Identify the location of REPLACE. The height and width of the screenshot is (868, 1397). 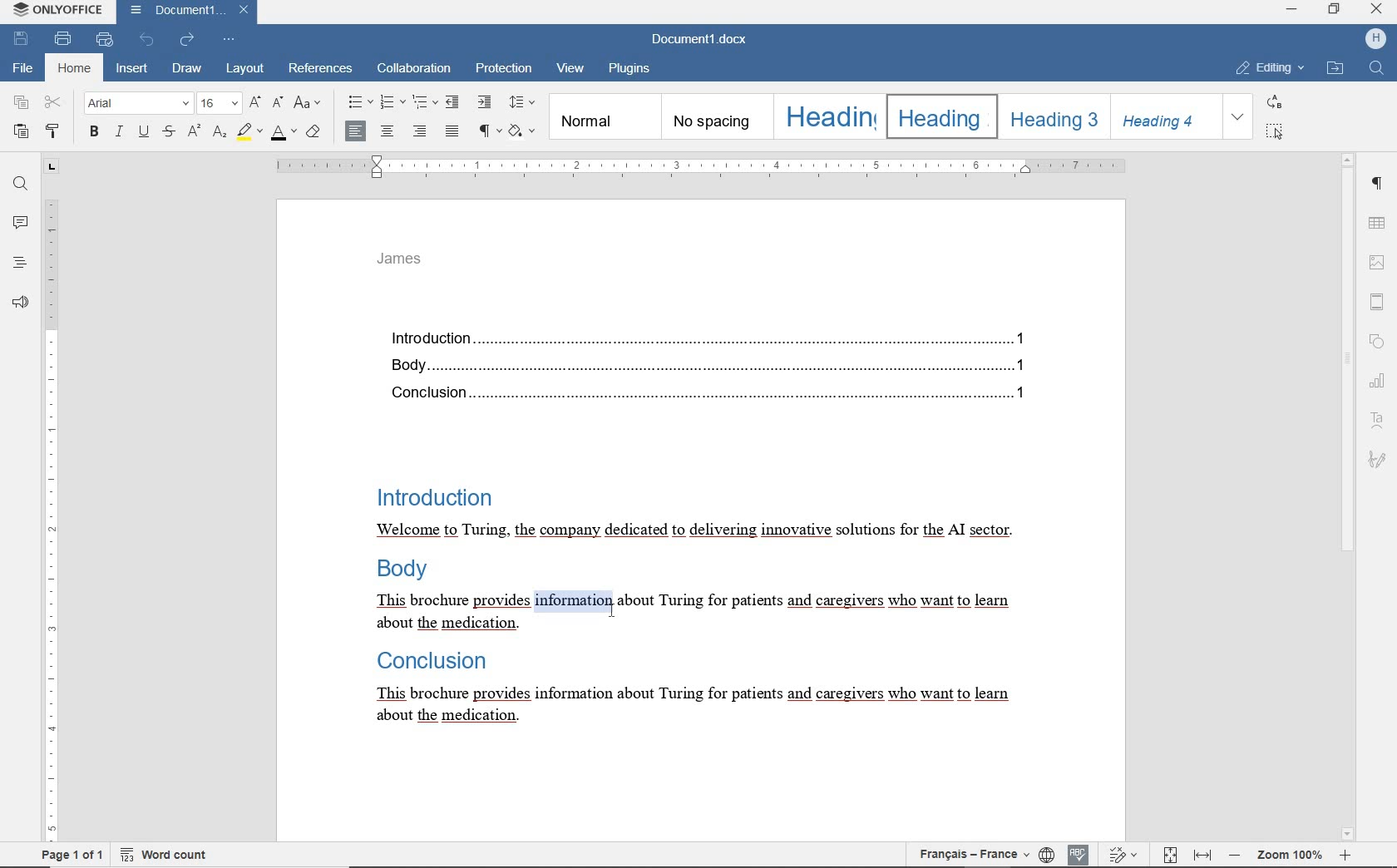
(1273, 101).